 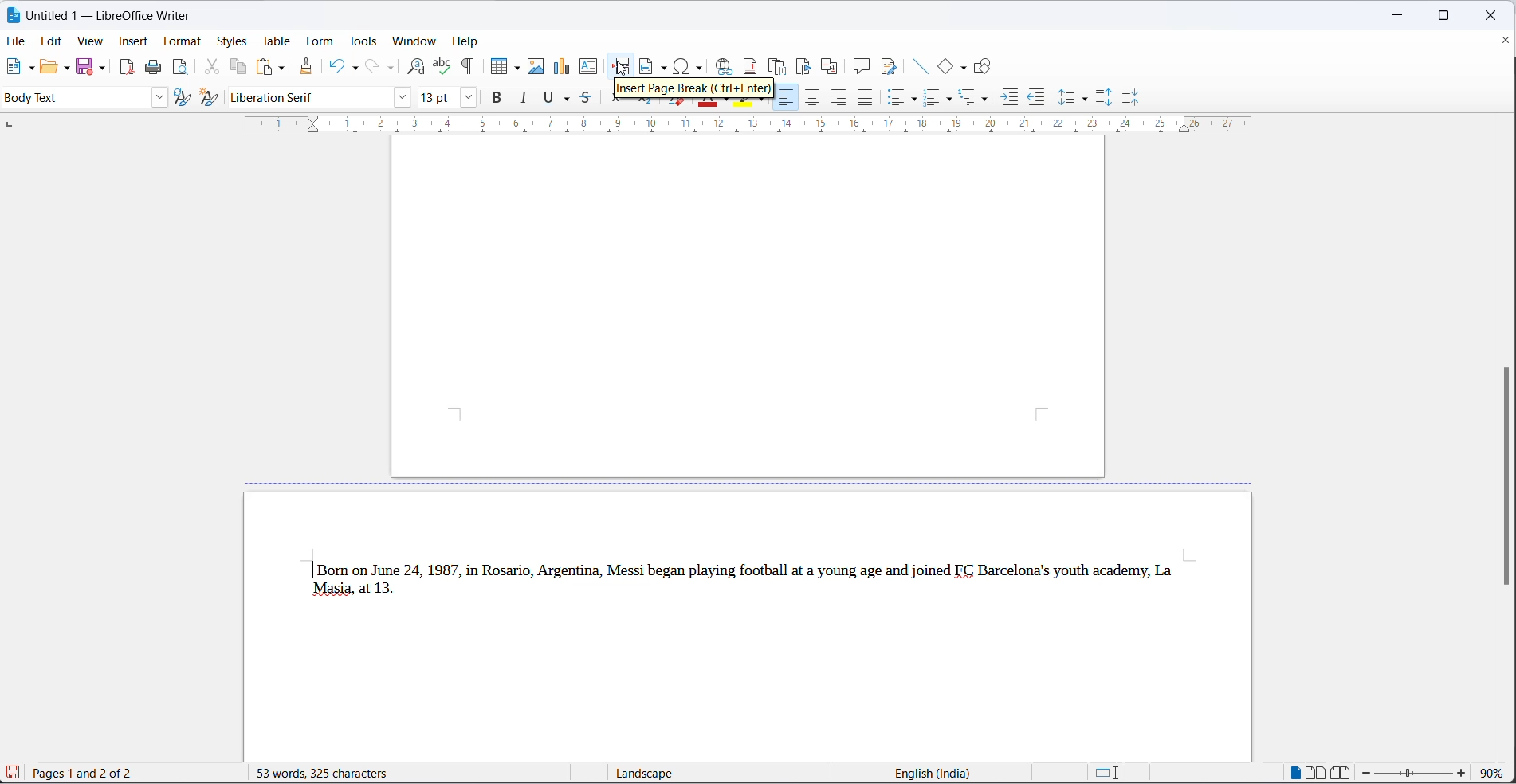 I want to click on format, so click(x=183, y=41).